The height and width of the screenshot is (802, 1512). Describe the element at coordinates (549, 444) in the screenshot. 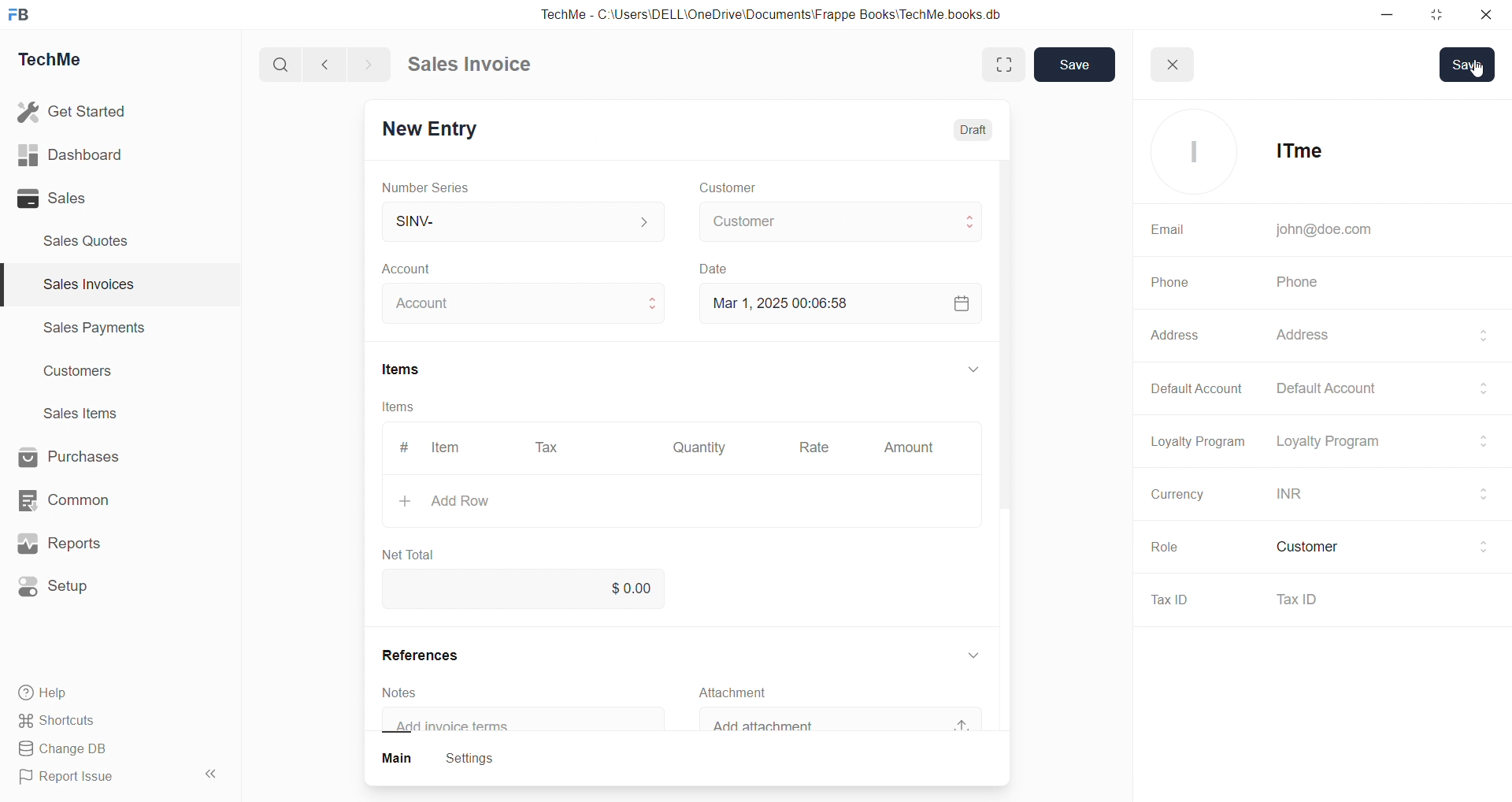

I see `Tax` at that location.